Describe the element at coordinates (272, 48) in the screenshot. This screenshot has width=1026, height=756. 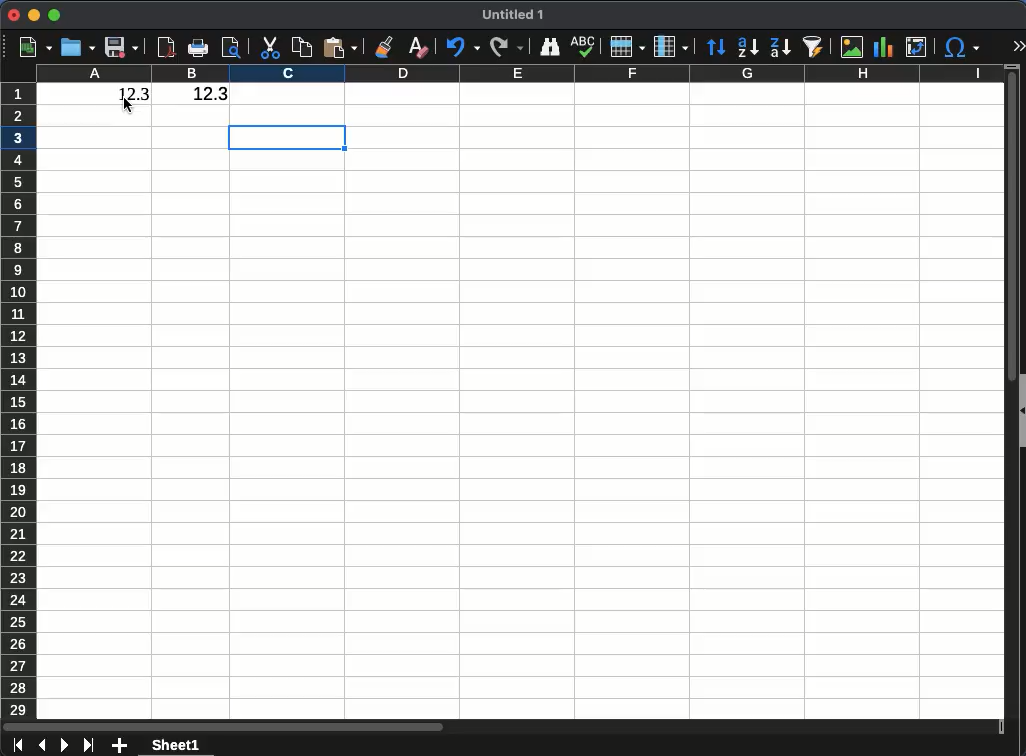
I see `cut` at that location.